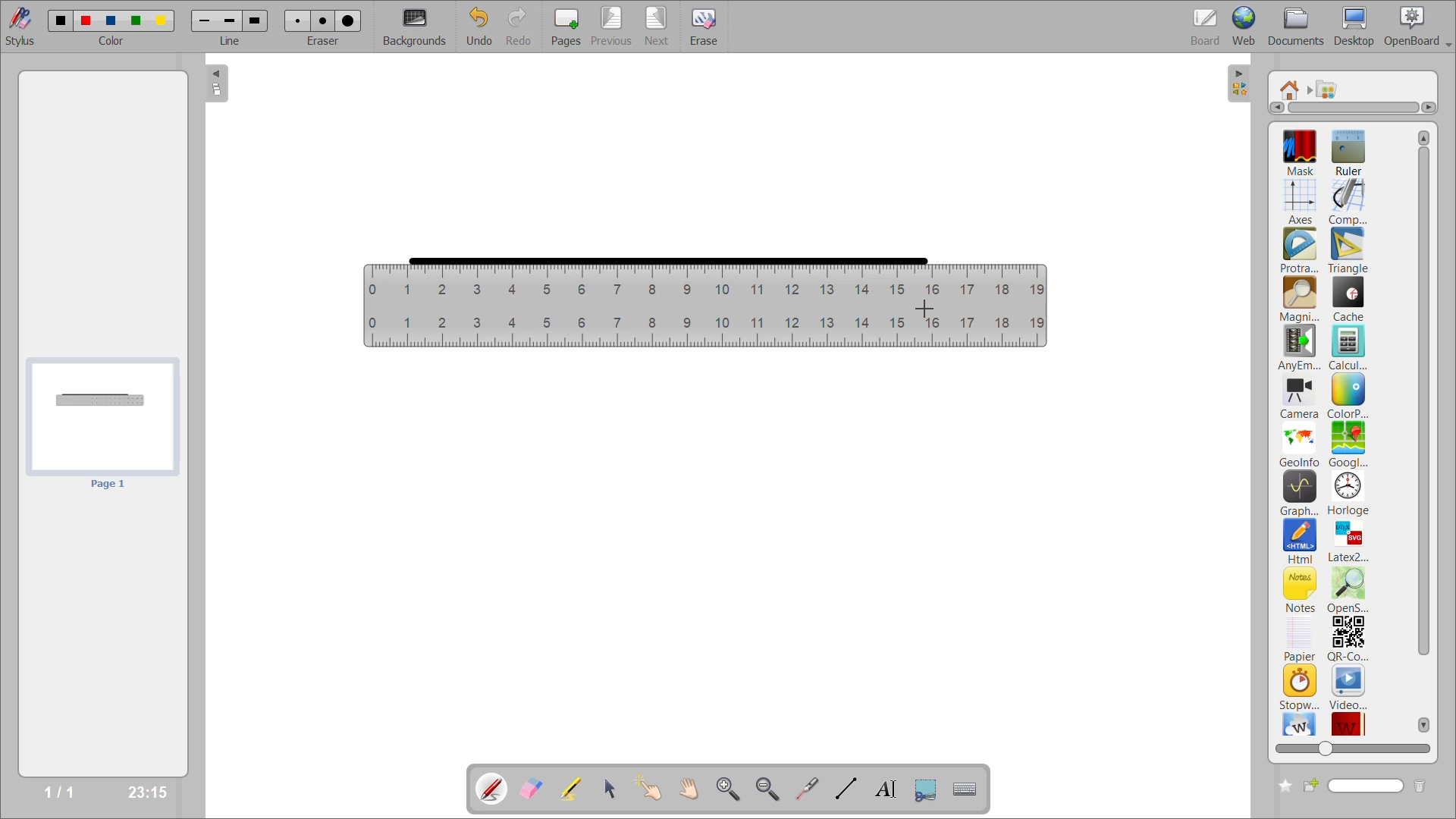 This screenshot has width=1456, height=819. What do you see at coordinates (770, 788) in the screenshot?
I see `zoom out` at bounding box center [770, 788].